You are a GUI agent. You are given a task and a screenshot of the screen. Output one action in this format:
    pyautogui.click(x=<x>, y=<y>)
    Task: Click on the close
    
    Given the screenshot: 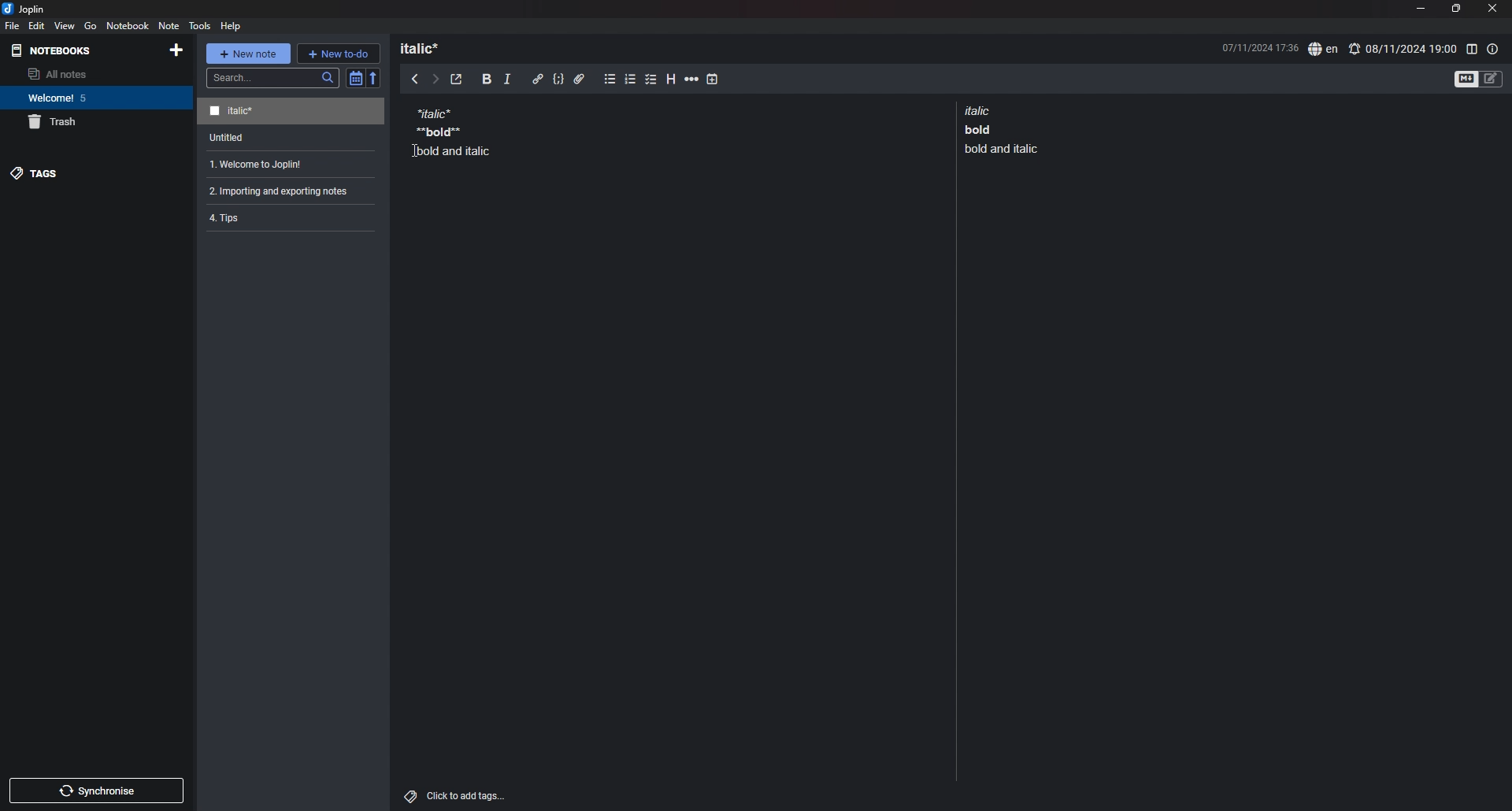 What is the action you would take?
    pyautogui.click(x=1494, y=8)
    